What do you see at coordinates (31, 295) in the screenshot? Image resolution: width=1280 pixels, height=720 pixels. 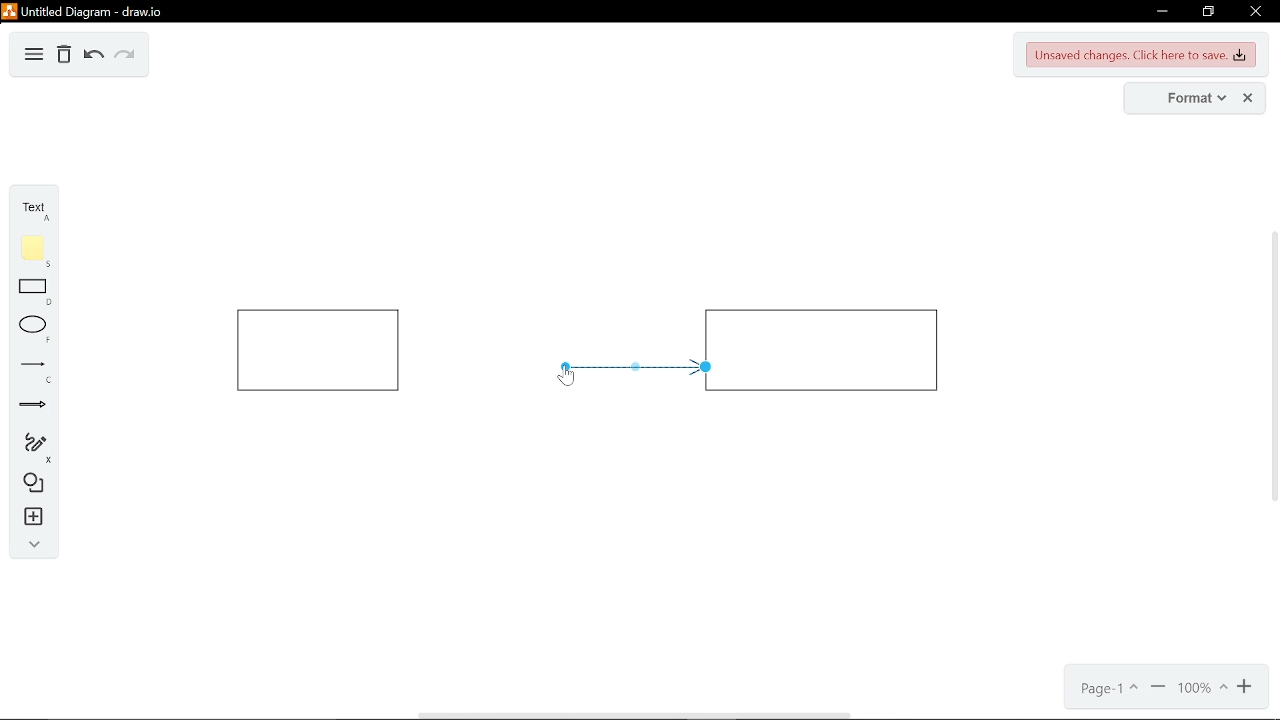 I see `rectangle` at bounding box center [31, 295].